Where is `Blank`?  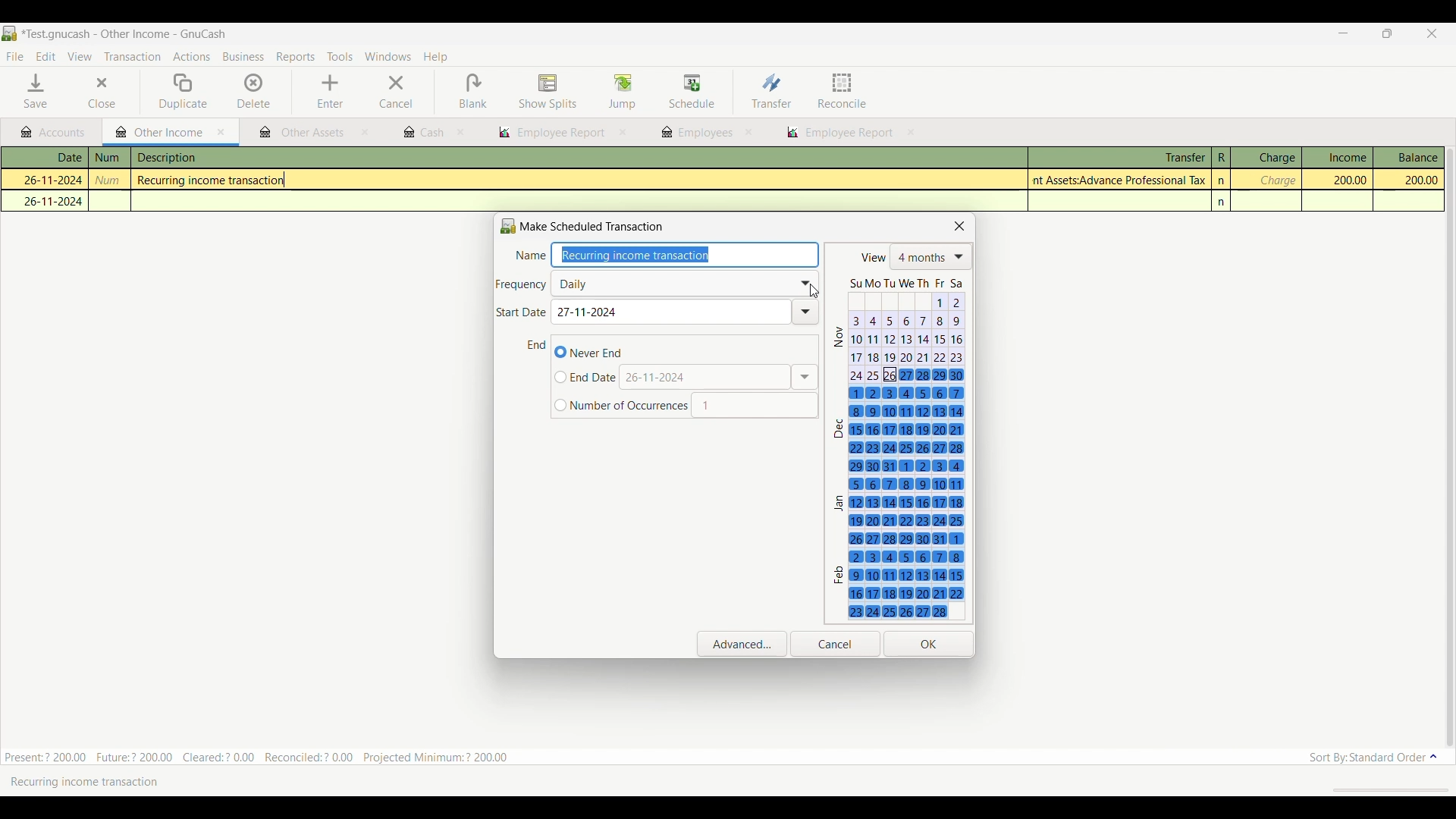
Blank is located at coordinates (472, 92).